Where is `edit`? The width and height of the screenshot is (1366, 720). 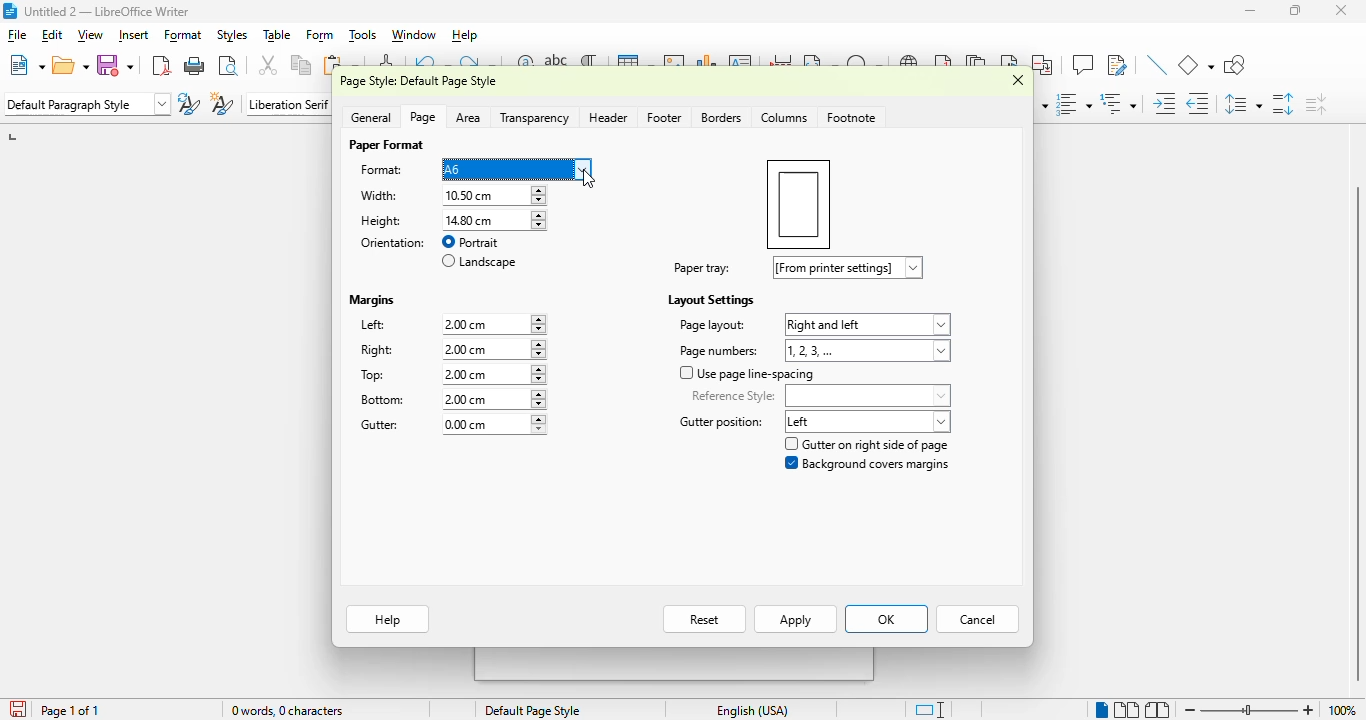
edit is located at coordinates (52, 34).